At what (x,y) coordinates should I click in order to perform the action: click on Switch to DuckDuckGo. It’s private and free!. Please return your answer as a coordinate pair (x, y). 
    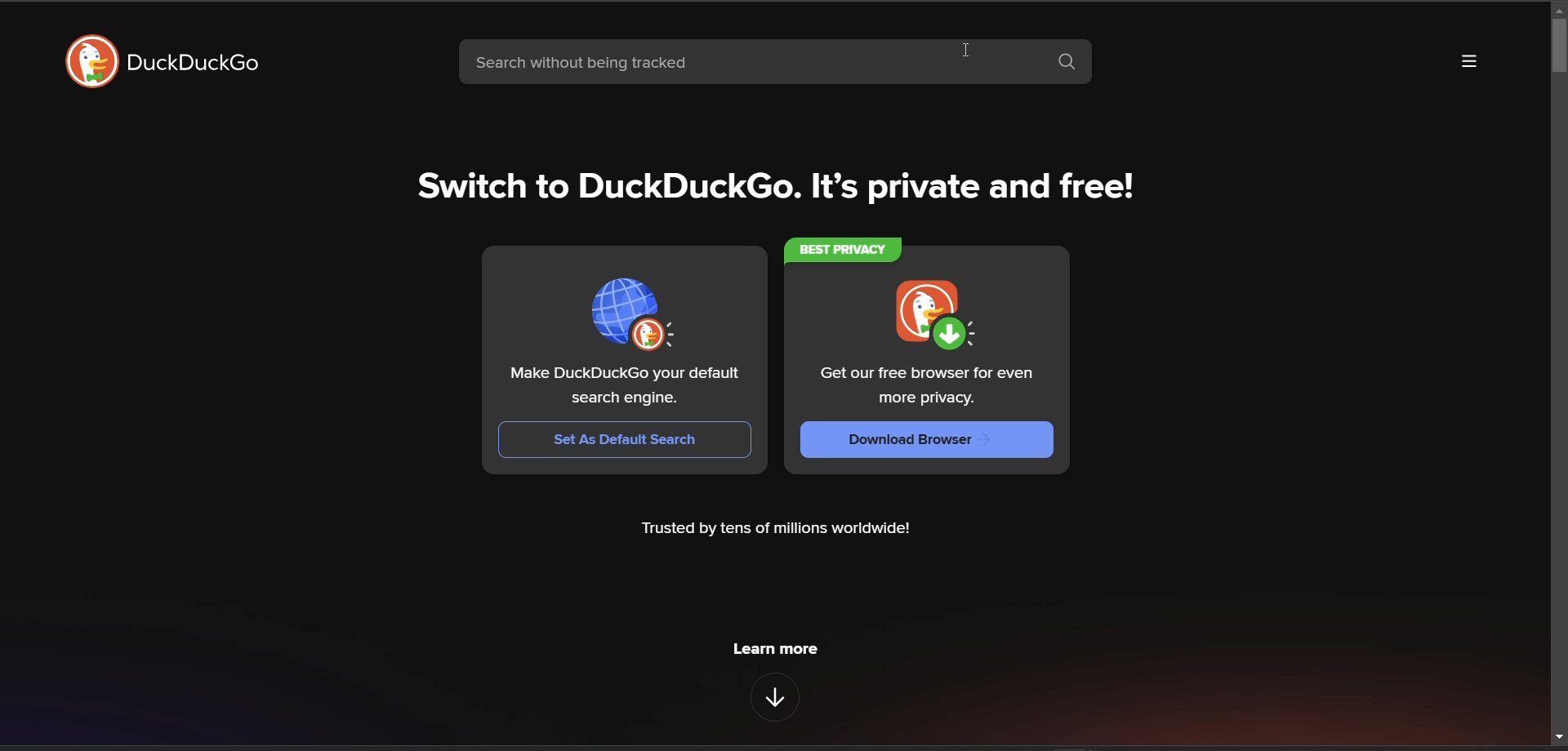
    Looking at the image, I should click on (776, 186).